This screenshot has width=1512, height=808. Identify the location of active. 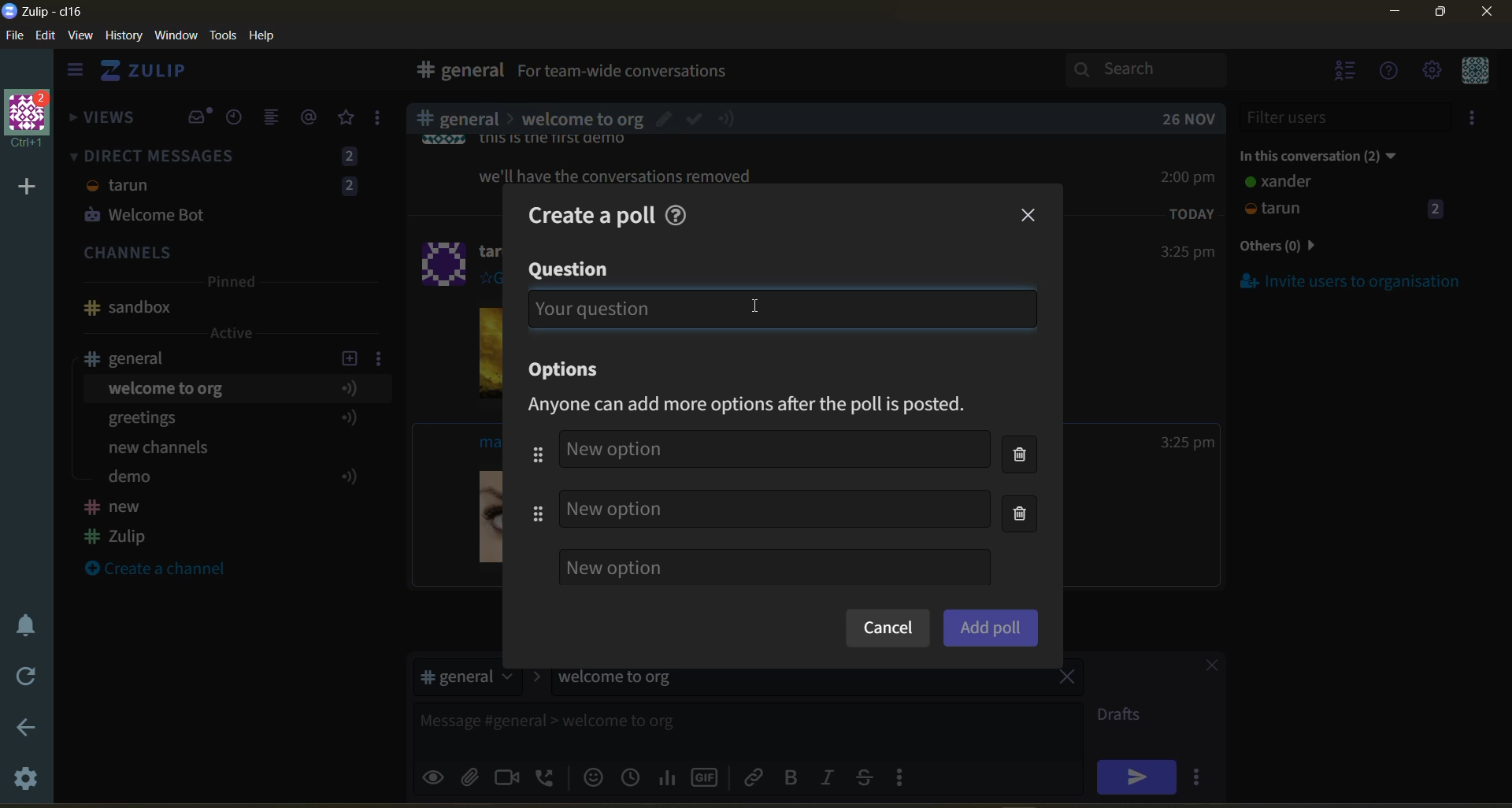
(233, 333).